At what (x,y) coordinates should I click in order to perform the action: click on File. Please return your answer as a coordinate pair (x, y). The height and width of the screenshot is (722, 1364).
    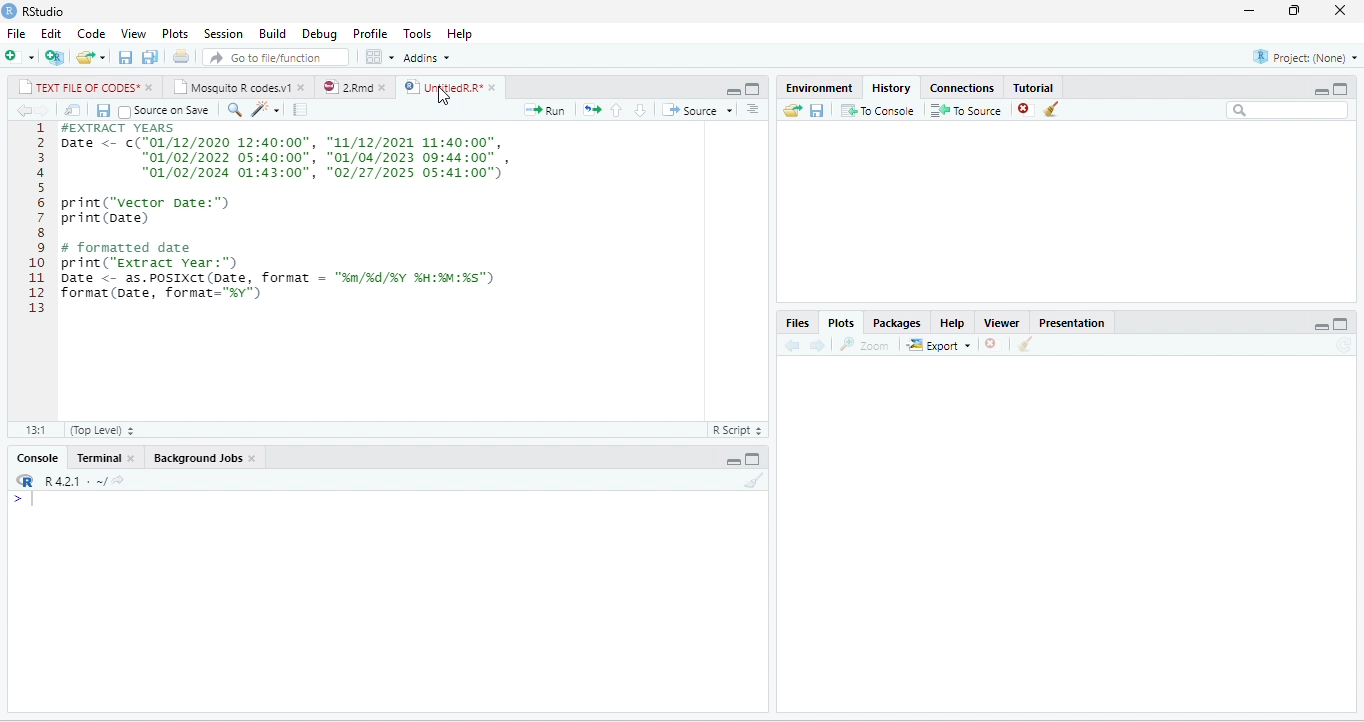
    Looking at the image, I should click on (16, 34).